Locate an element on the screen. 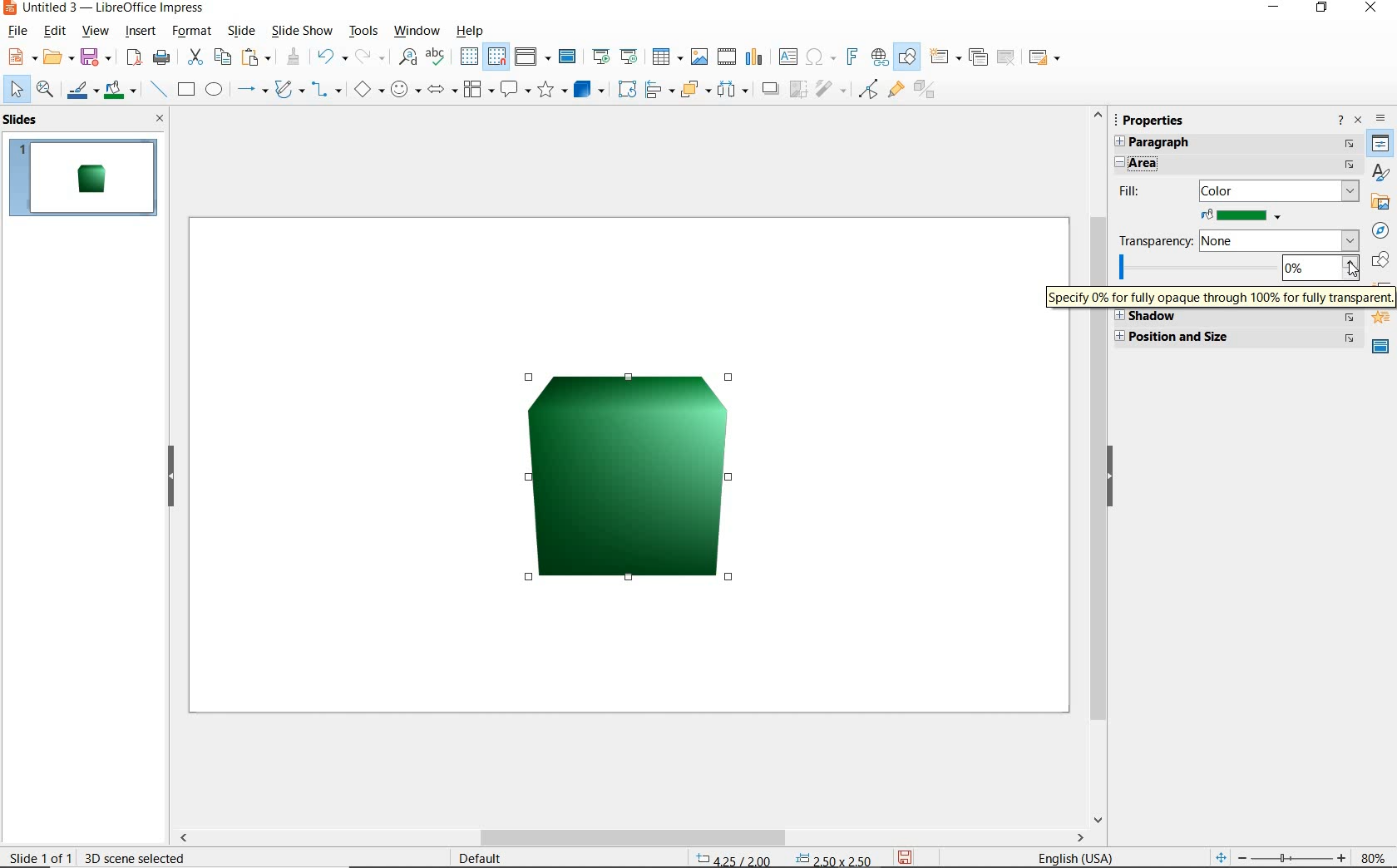 Image resolution: width=1397 pixels, height=868 pixels. ROTATE is located at coordinates (629, 90).